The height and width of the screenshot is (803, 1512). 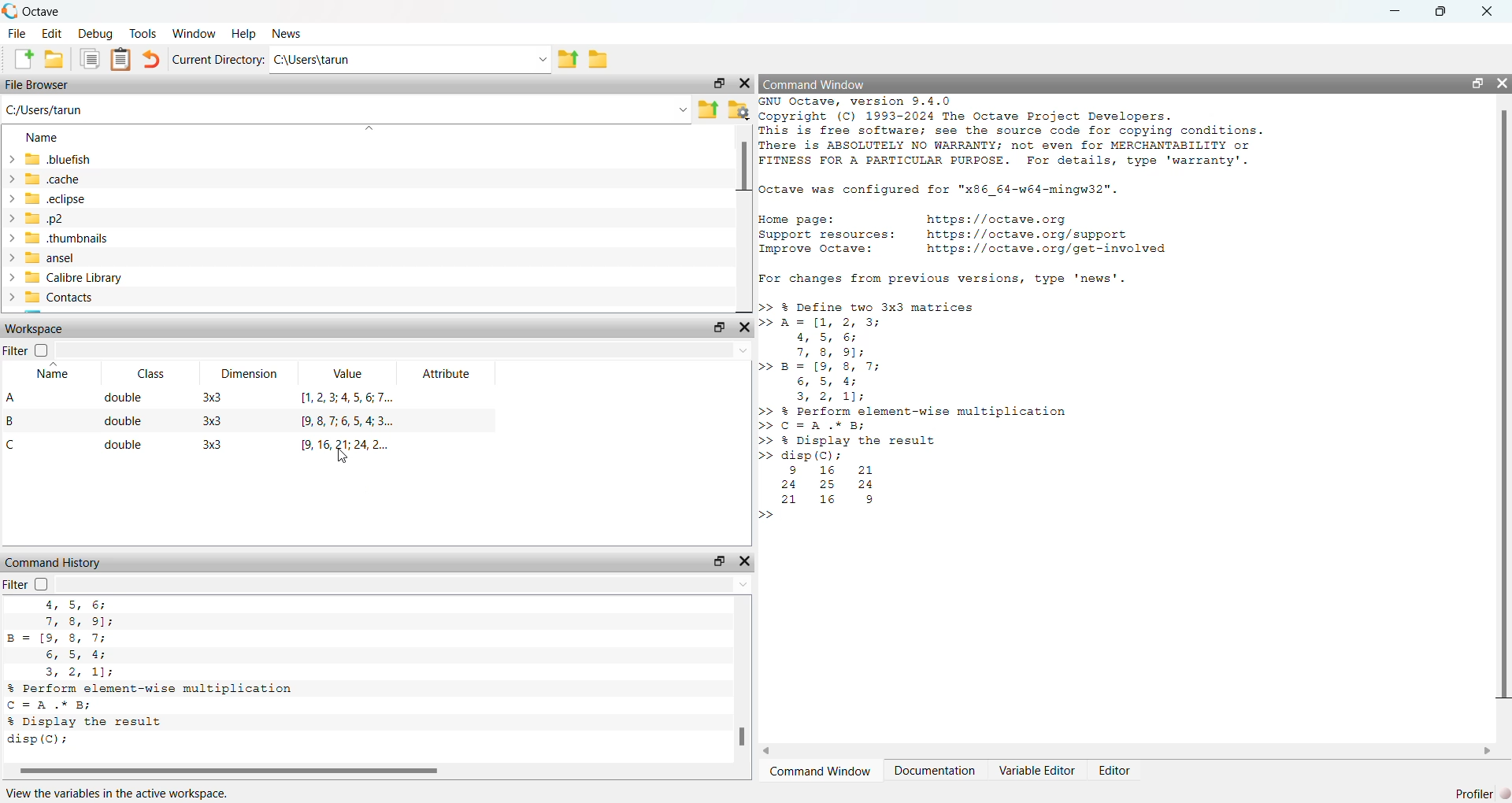 I want to click on Restore Down, so click(x=721, y=327).